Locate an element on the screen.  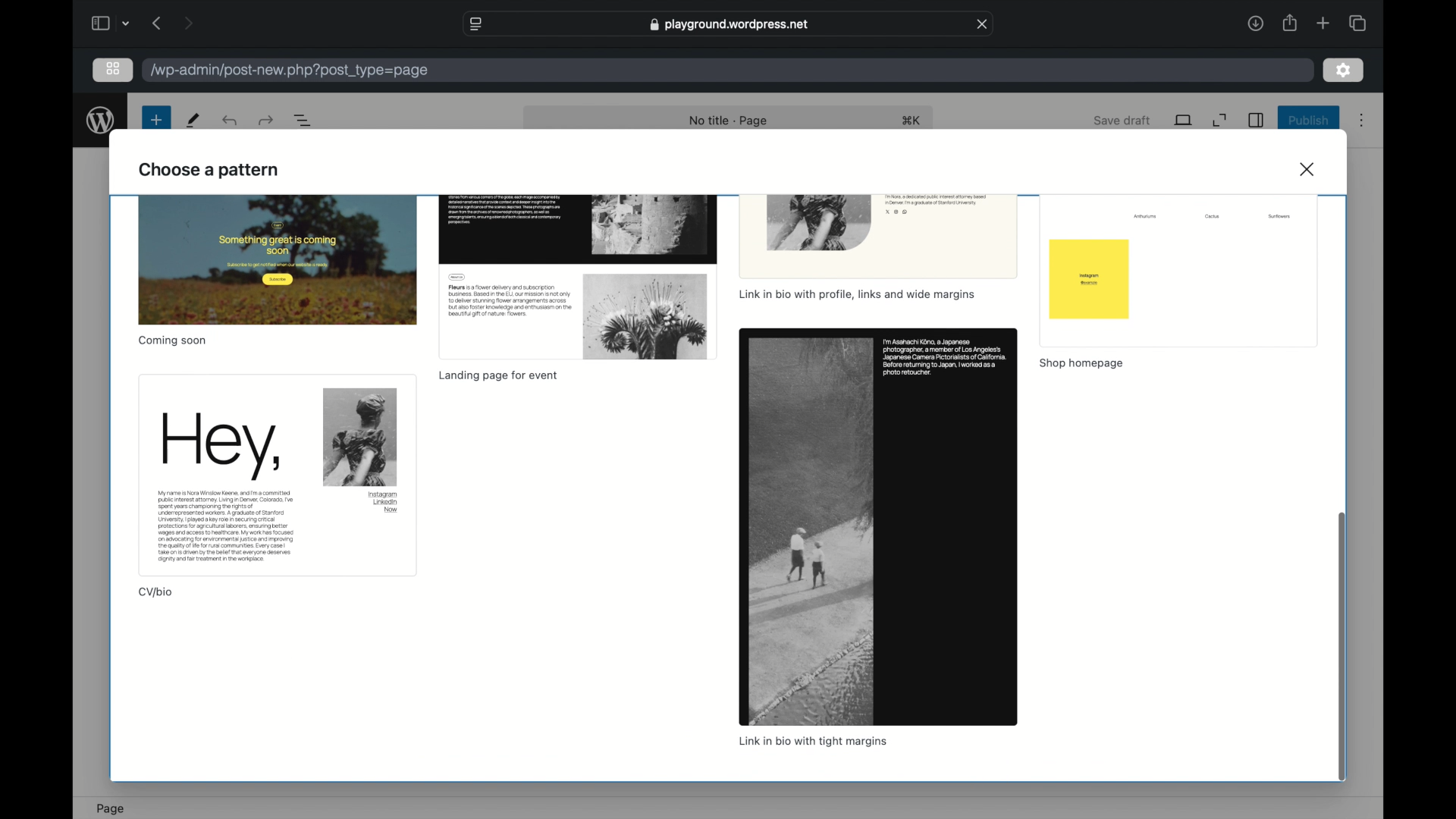
more options is located at coordinates (1362, 121).